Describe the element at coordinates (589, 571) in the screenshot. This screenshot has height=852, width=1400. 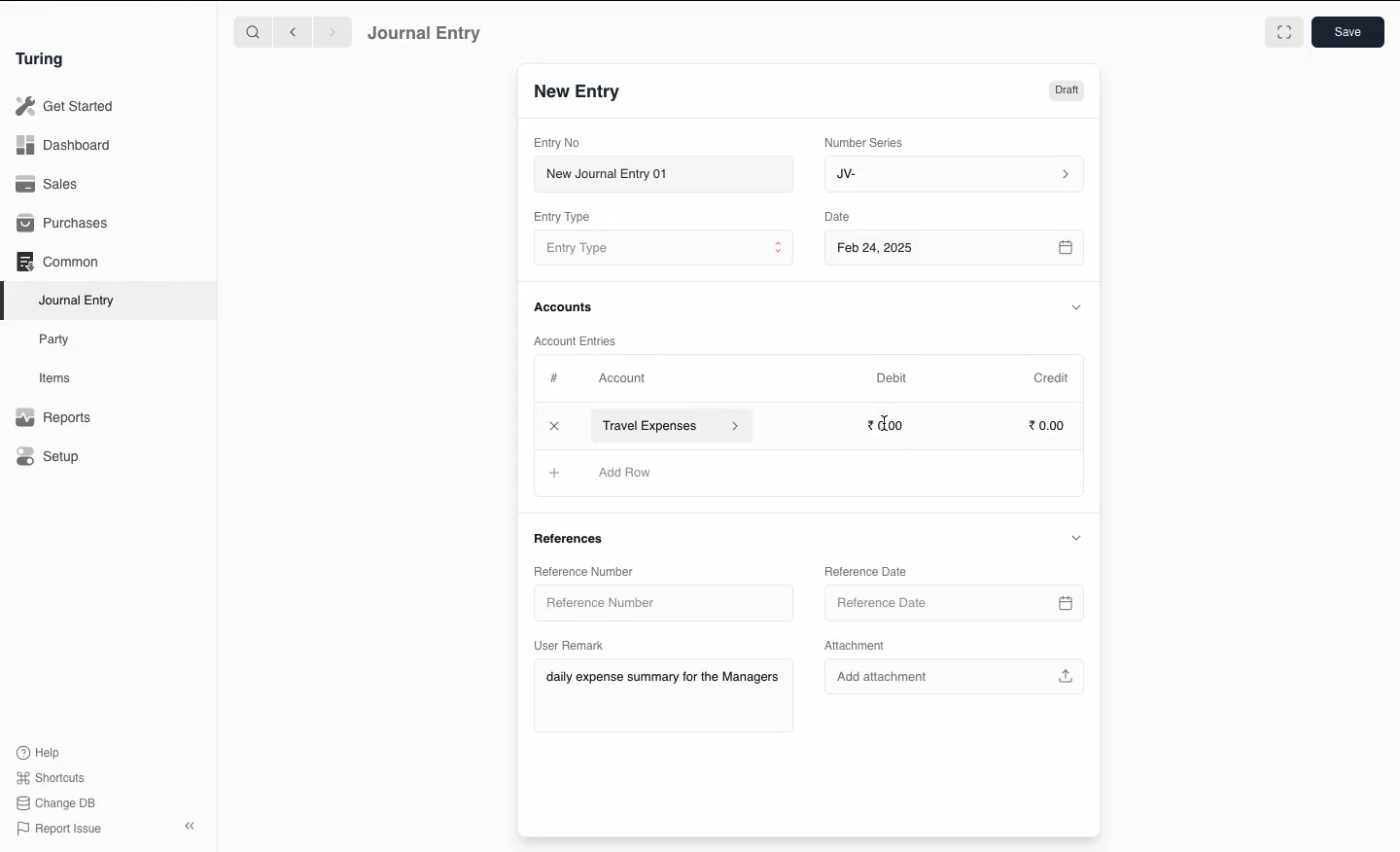
I see `Reference Number` at that location.